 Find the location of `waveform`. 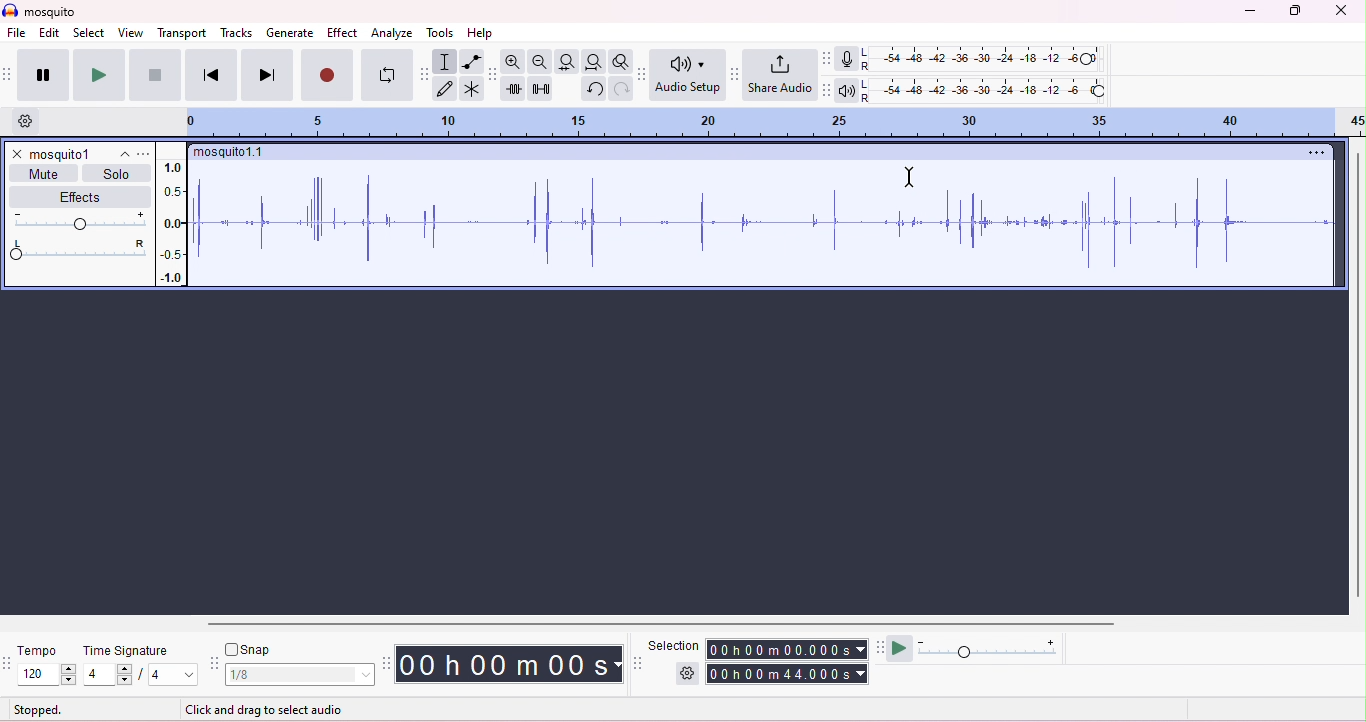

waveform is located at coordinates (744, 222).